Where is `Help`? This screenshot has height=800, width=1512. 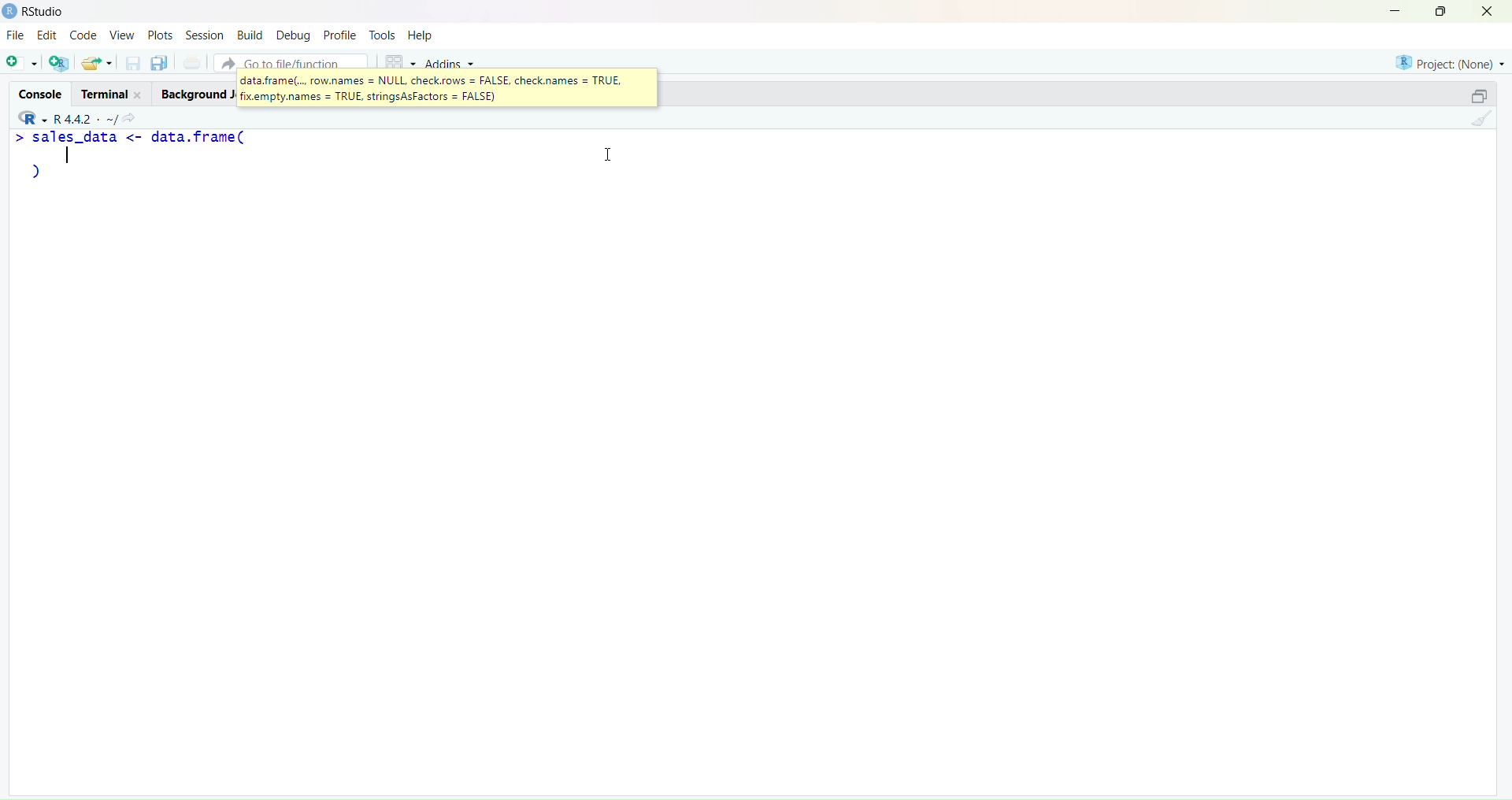
Help is located at coordinates (423, 36).